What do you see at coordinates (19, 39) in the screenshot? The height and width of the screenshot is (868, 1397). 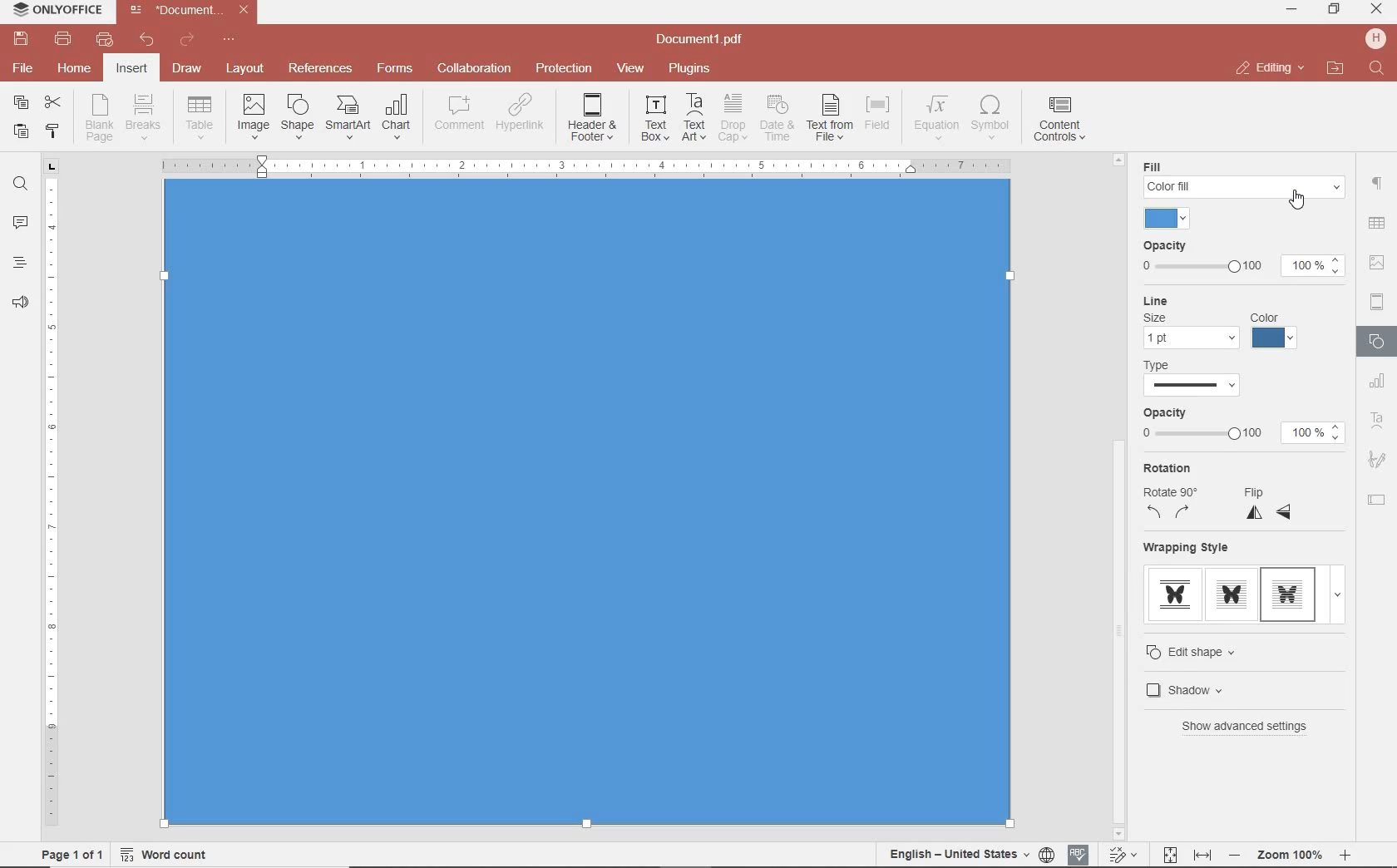 I see `save` at bounding box center [19, 39].